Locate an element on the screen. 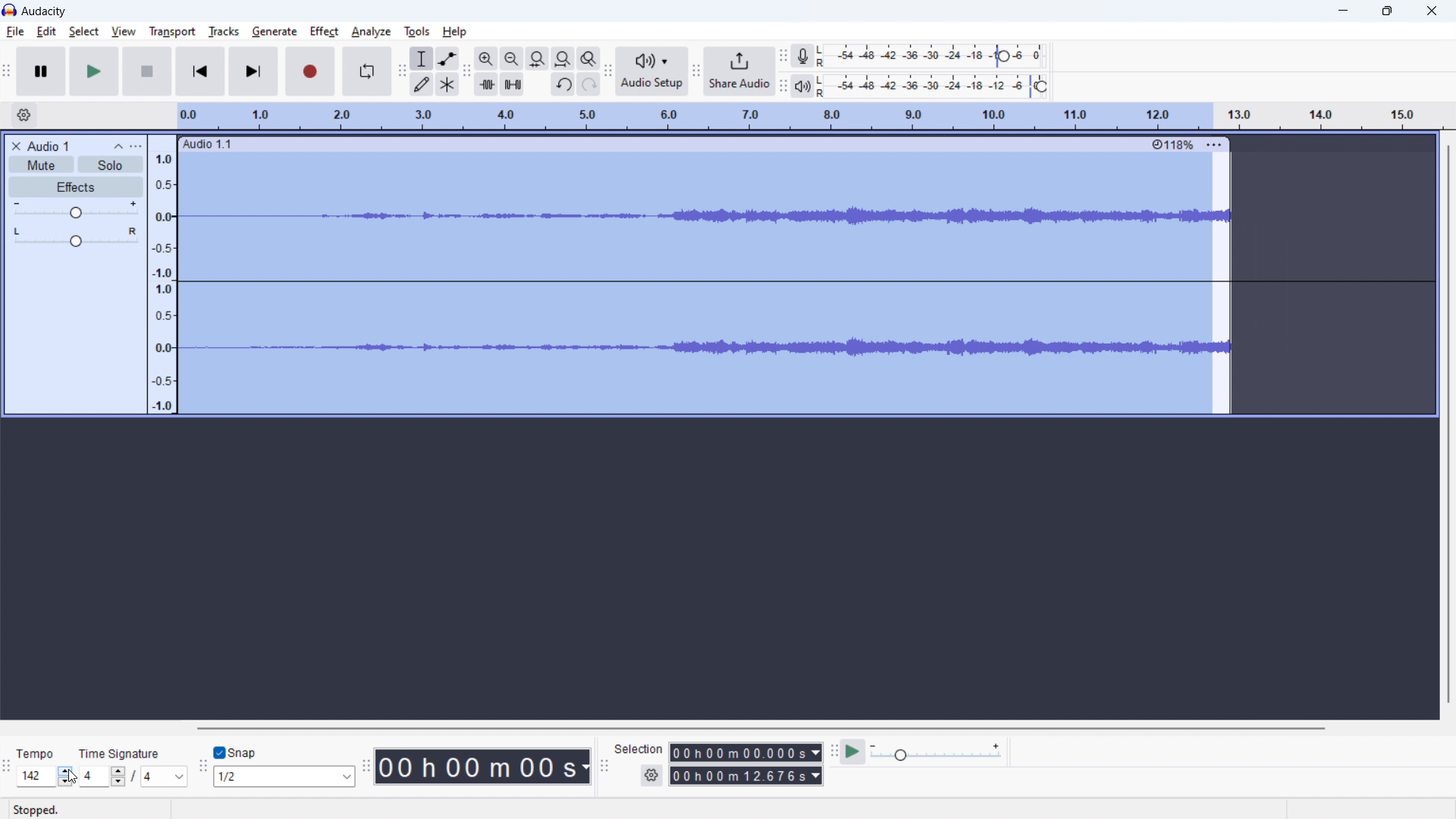 The width and height of the screenshot is (1456, 819). Audio is located at coordinates (216, 145).